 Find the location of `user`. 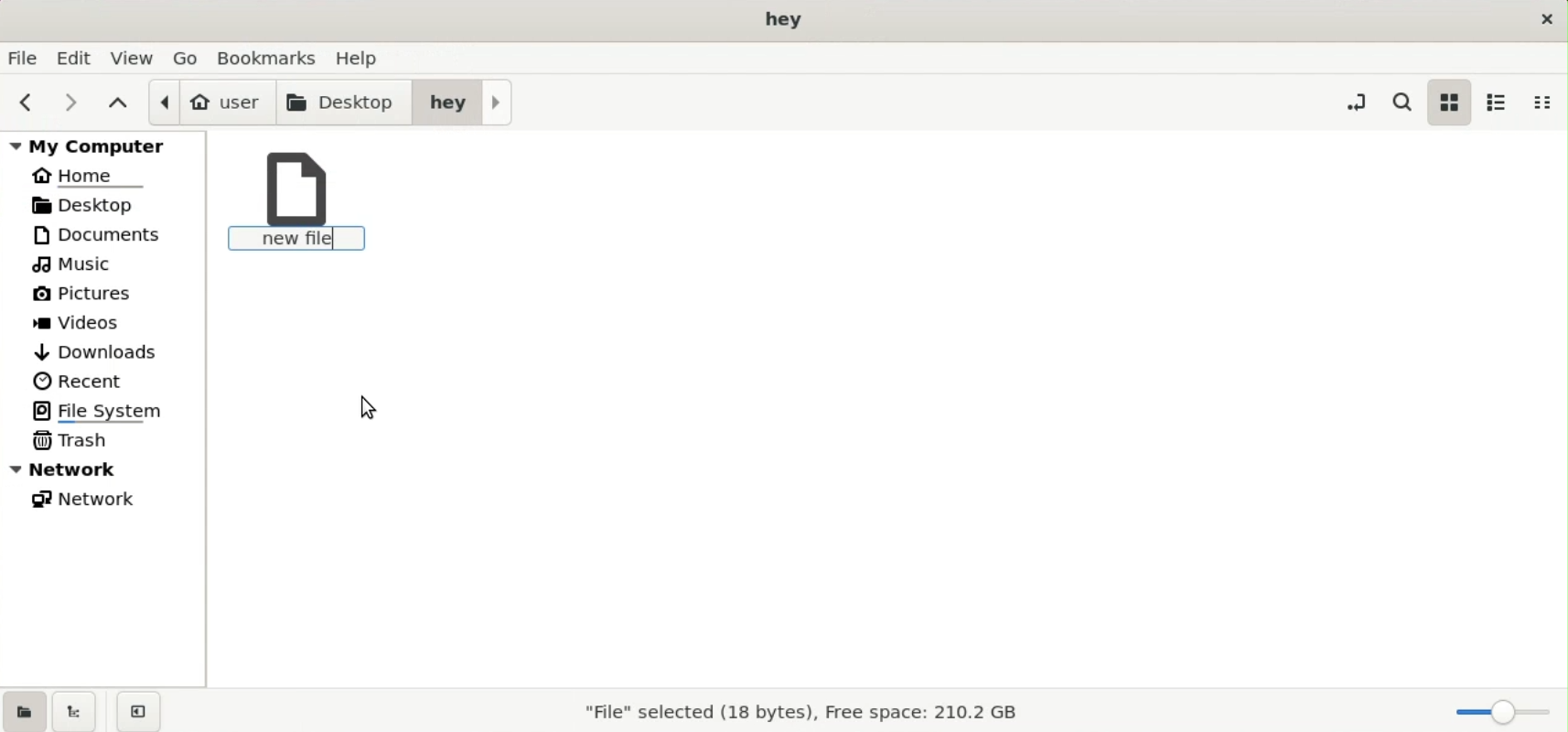

user is located at coordinates (210, 102).